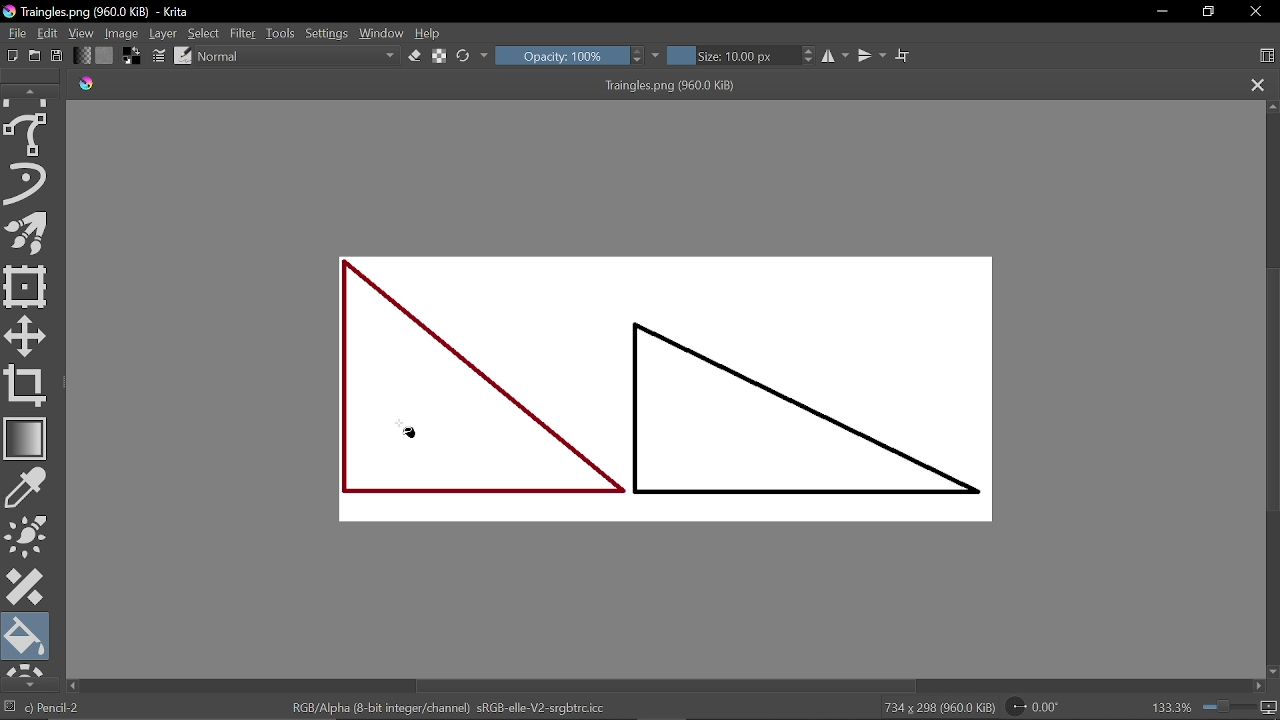 Image resolution: width=1280 pixels, height=720 pixels. I want to click on vertical scroll bar, so click(1272, 377).